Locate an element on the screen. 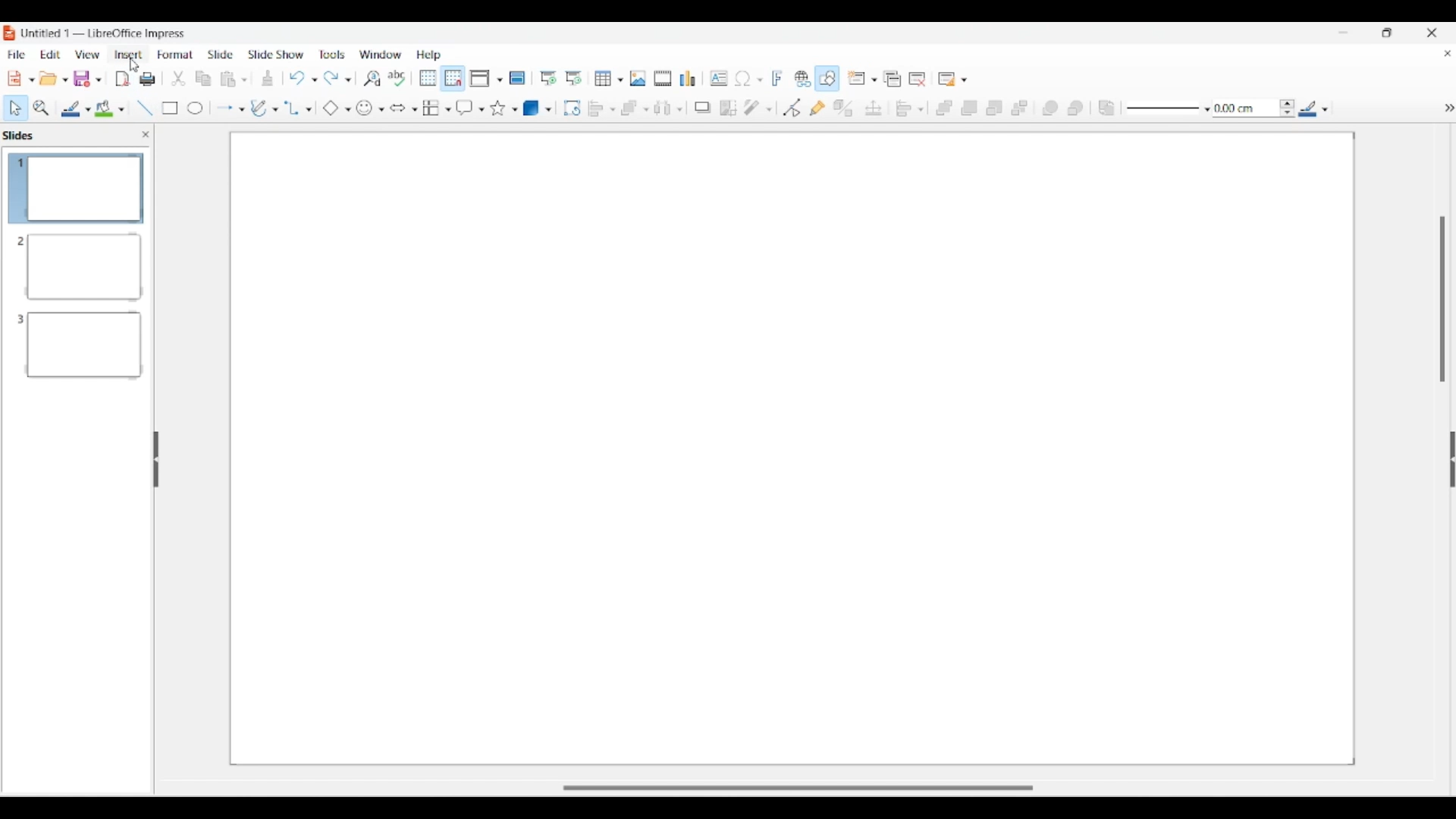 This screenshot has width=1456, height=819. Cut is located at coordinates (179, 78).